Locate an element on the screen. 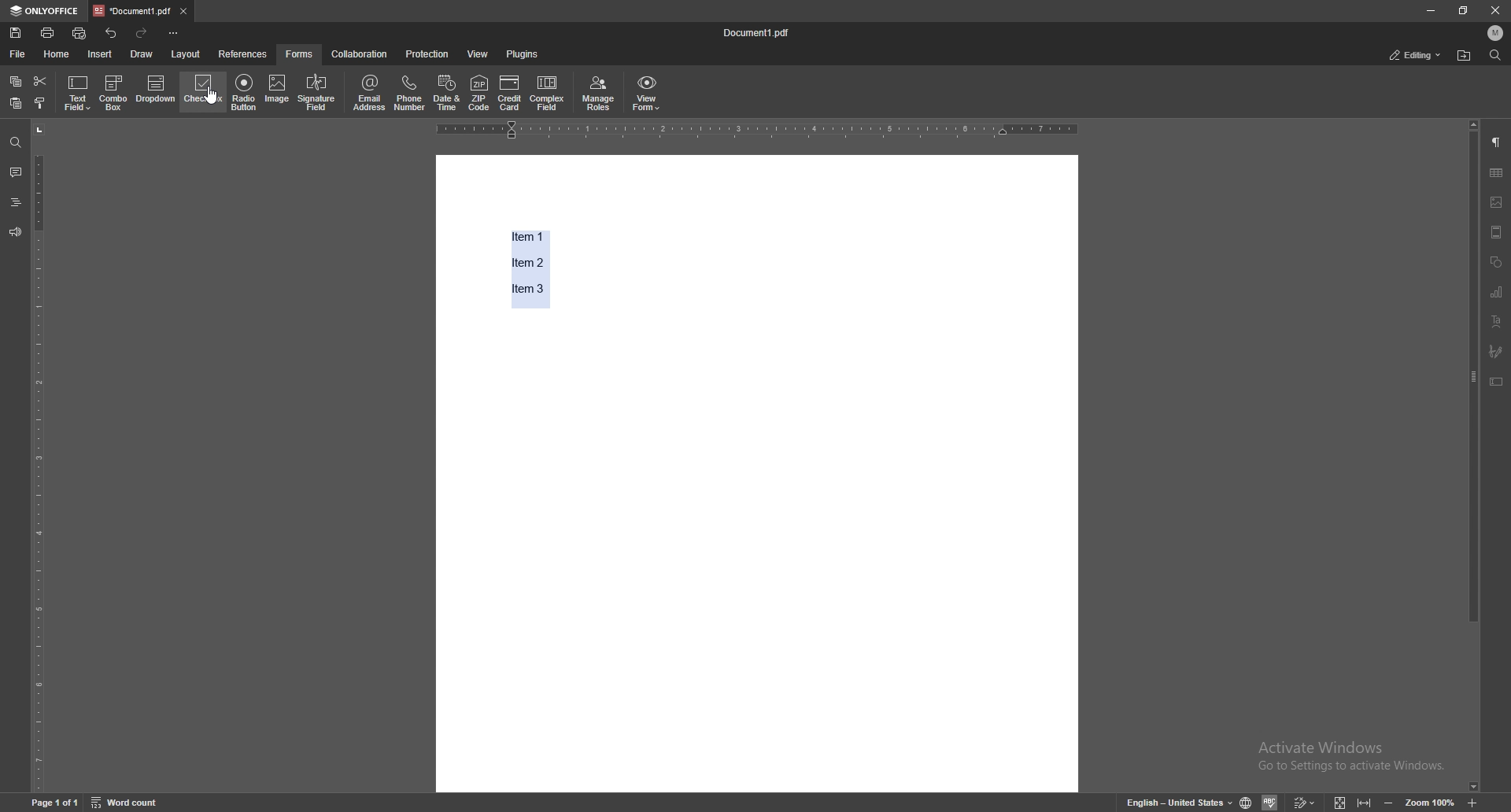  close tab is located at coordinates (183, 12).